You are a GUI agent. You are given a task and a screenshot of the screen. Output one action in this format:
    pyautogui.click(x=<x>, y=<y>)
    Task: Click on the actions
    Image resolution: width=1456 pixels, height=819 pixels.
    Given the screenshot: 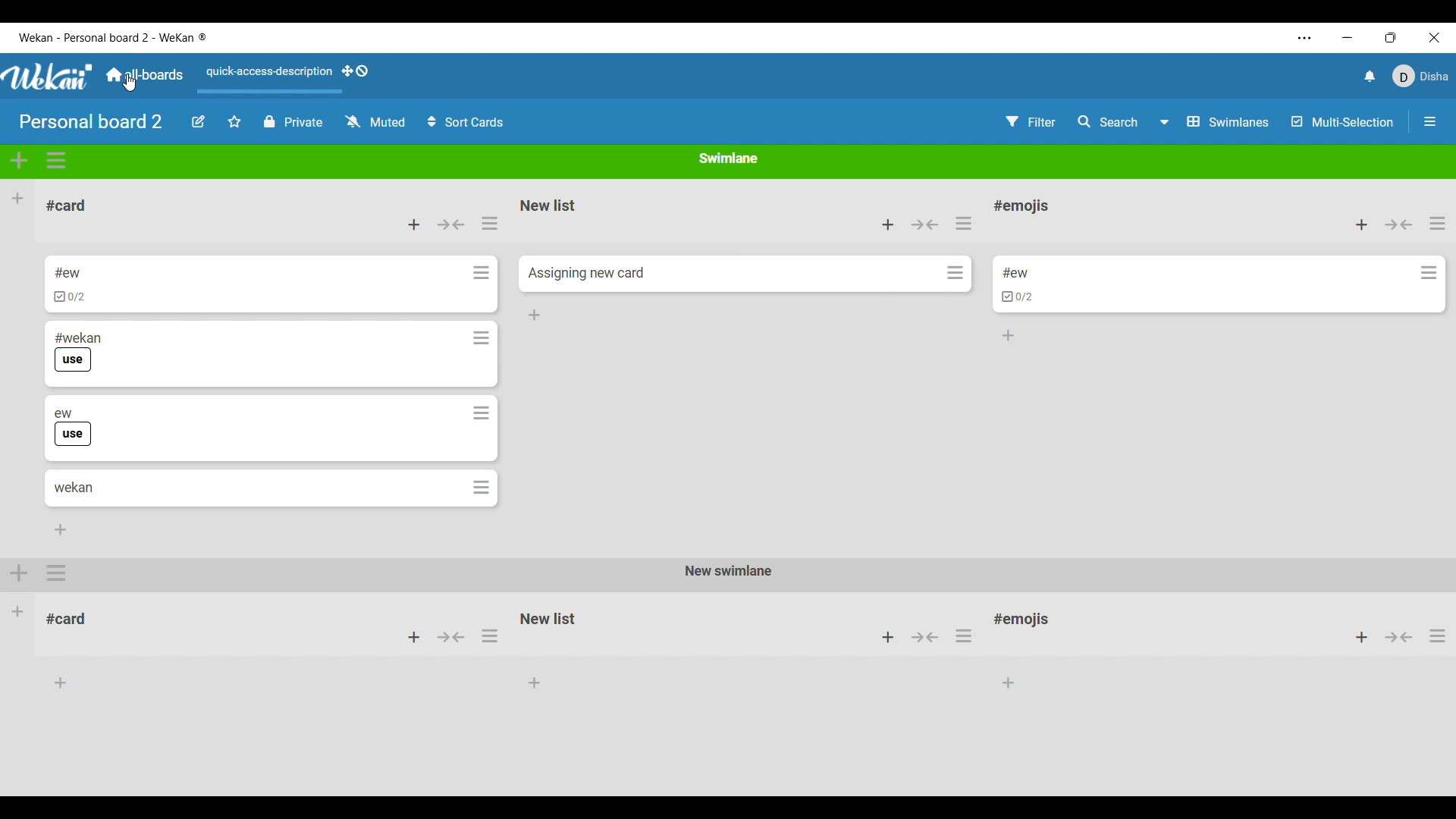 What is the action you would take?
    pyautogui.click(x=965, y=639)
    